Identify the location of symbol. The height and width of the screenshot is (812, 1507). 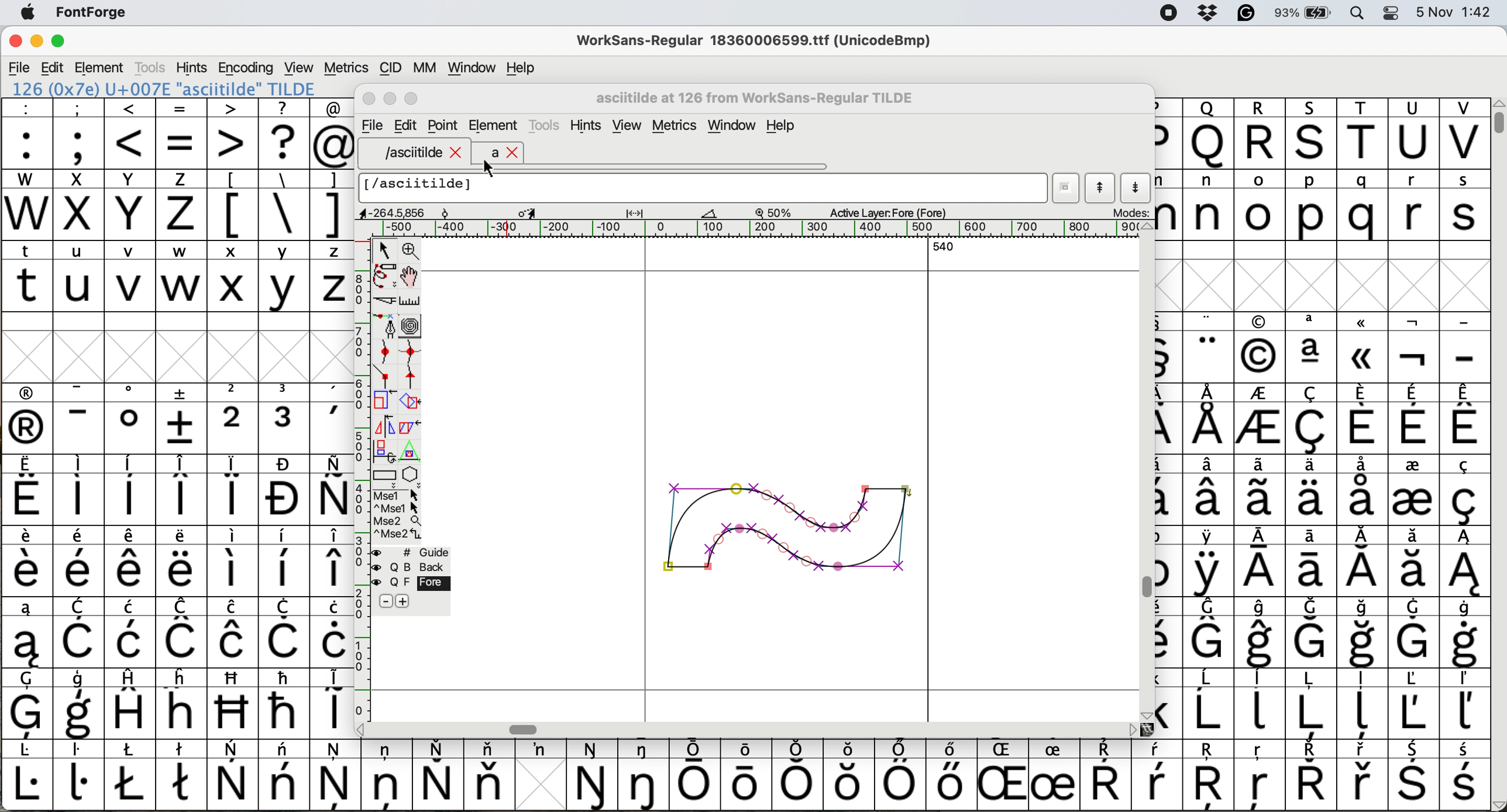
(1414, 776).